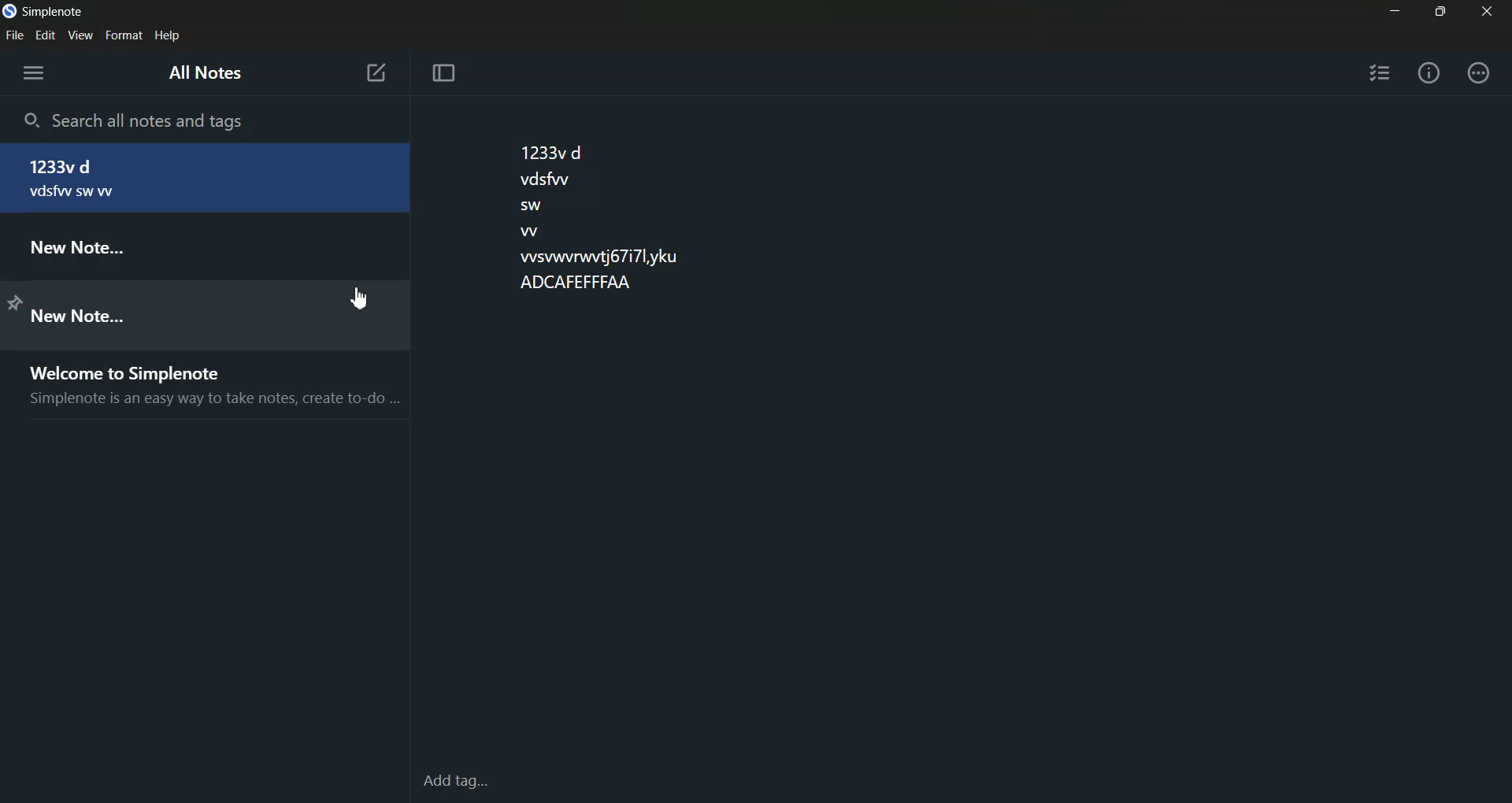 The height and width of the screenshot is (803, 1512). Describe the element at coordinates (195, 313) in the screenshot. I see `Note File` at that location.